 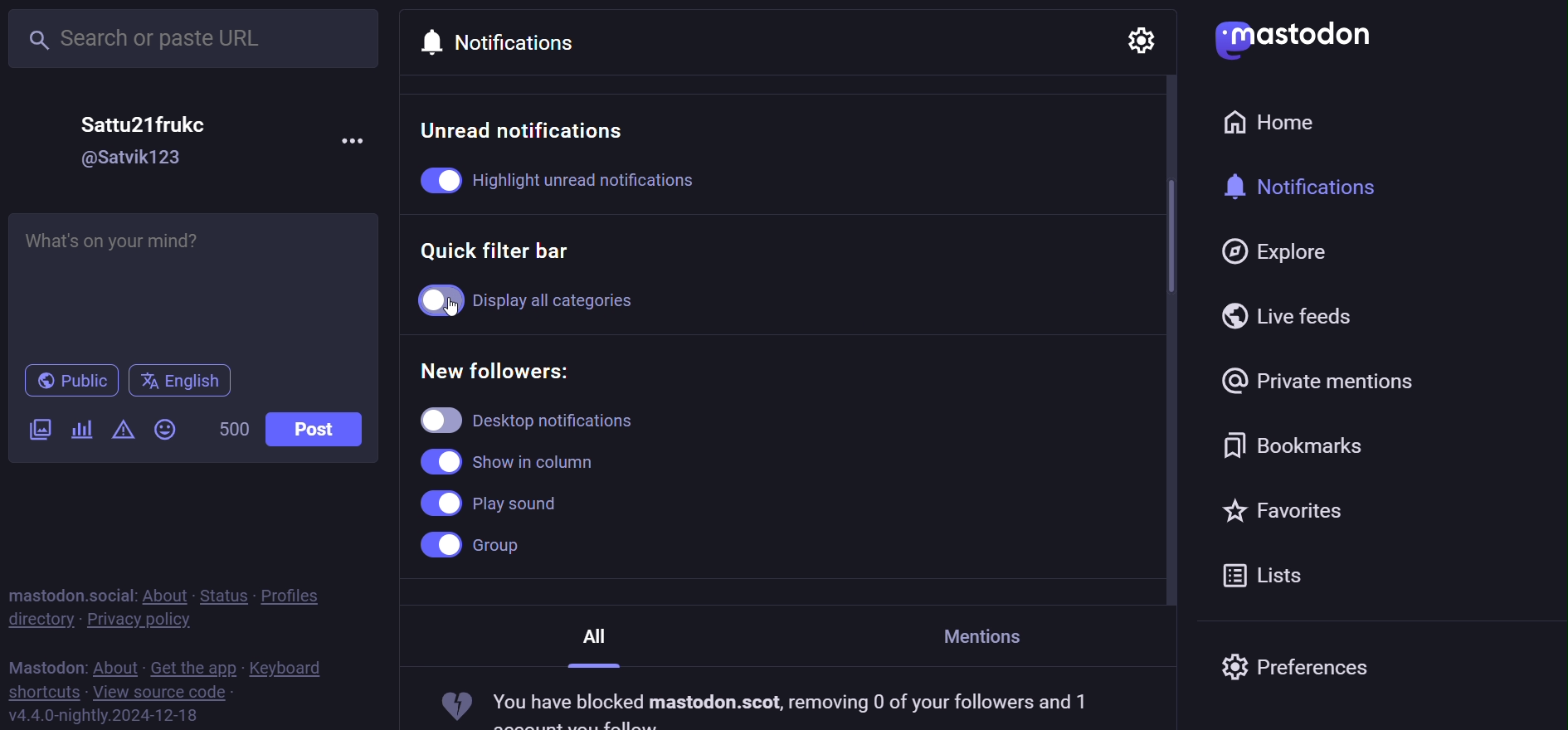 What do you see at coordinates (289, 668) in the screenshot?
I see `keyboard` at bounding box center [289, 668].